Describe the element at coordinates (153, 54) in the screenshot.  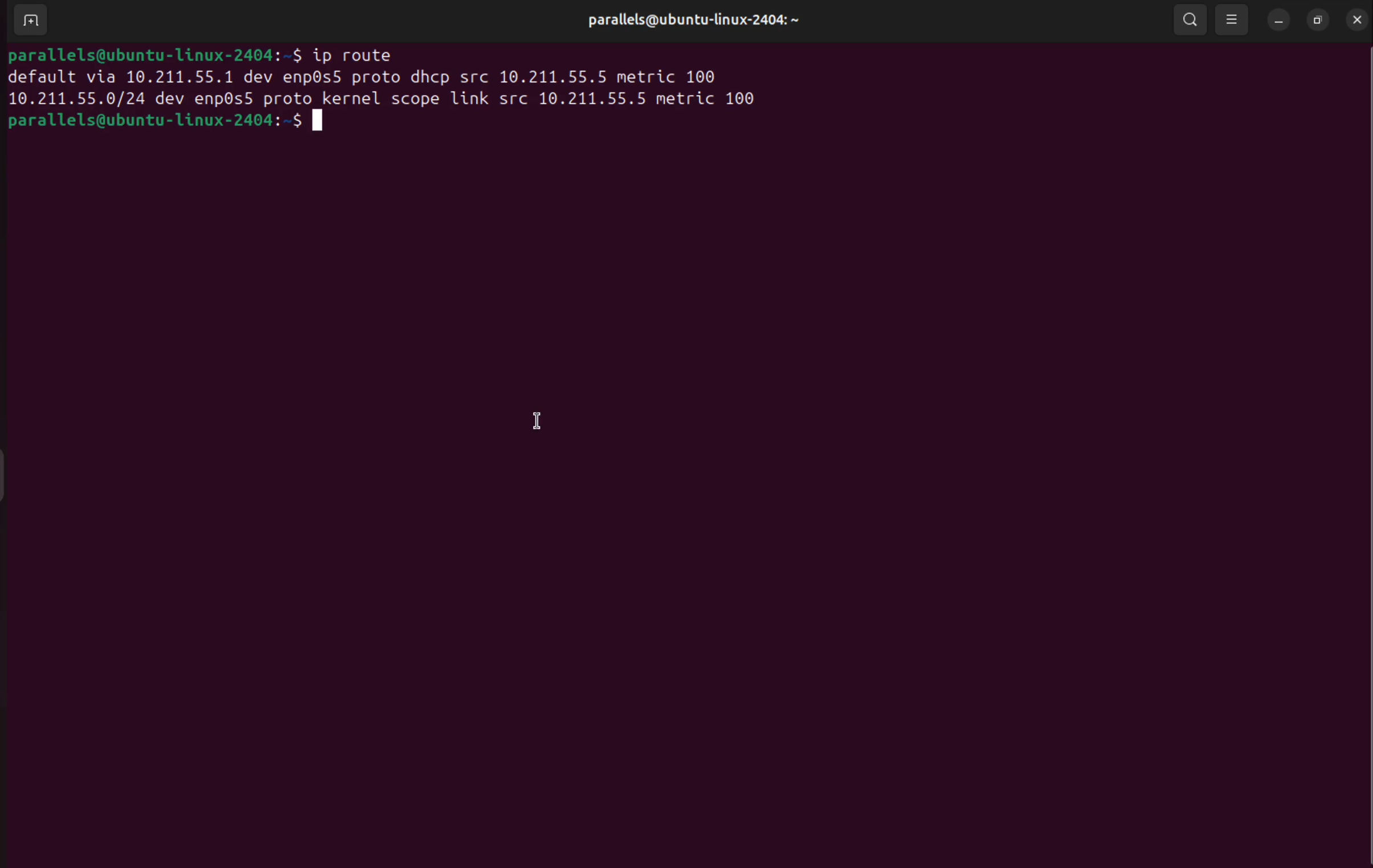
I see `bash prompt` at that location.